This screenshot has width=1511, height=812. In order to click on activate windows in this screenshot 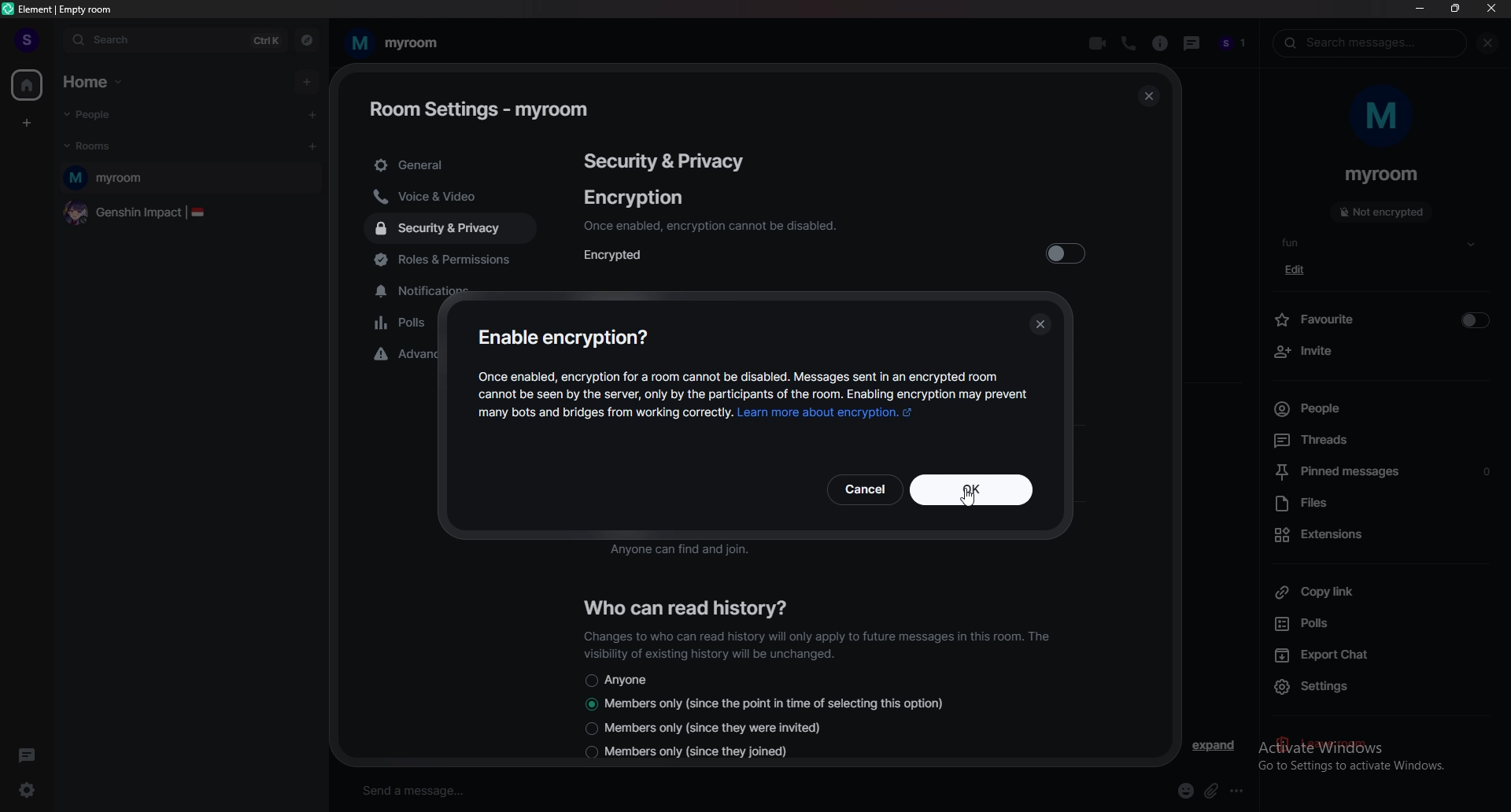, I will do `click(1369, 744)`.